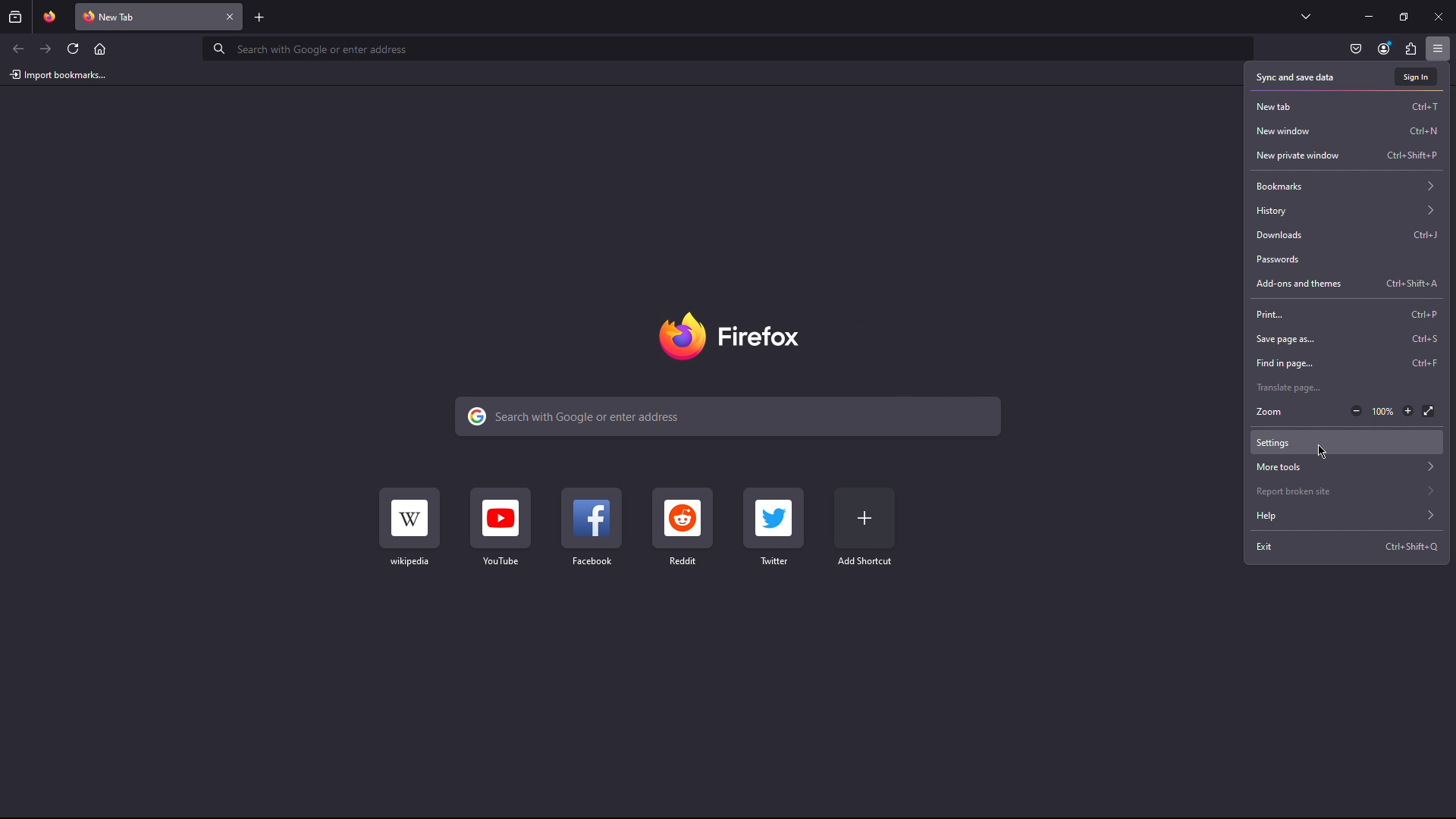 The height and width of the screenshot is (819, 1456). Describe the element at coordinates (500, 526) in the screenshot. I see `YouTube` at that location.